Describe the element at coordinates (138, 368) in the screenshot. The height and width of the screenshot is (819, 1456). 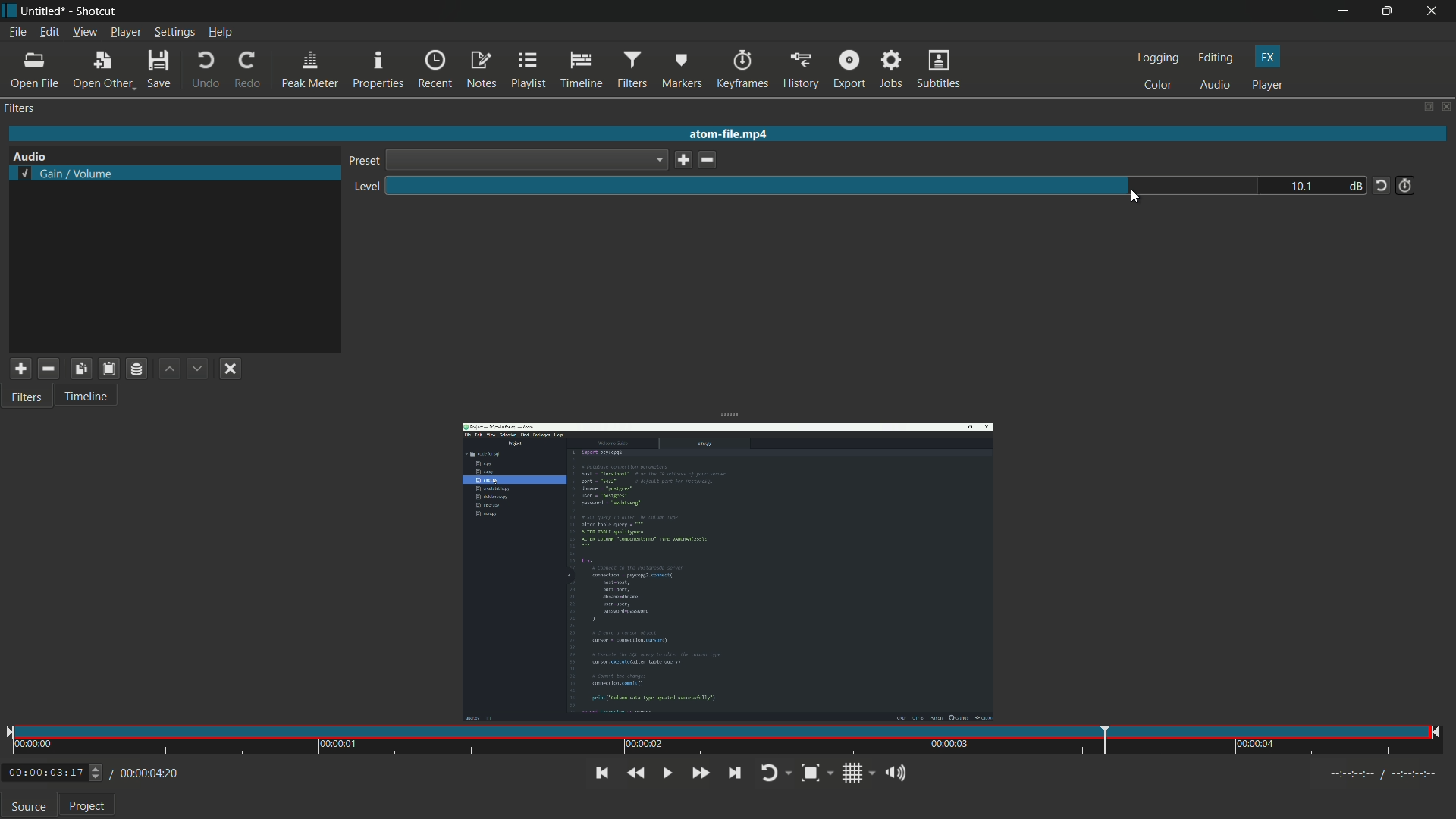
I see `save filter set` at that location.